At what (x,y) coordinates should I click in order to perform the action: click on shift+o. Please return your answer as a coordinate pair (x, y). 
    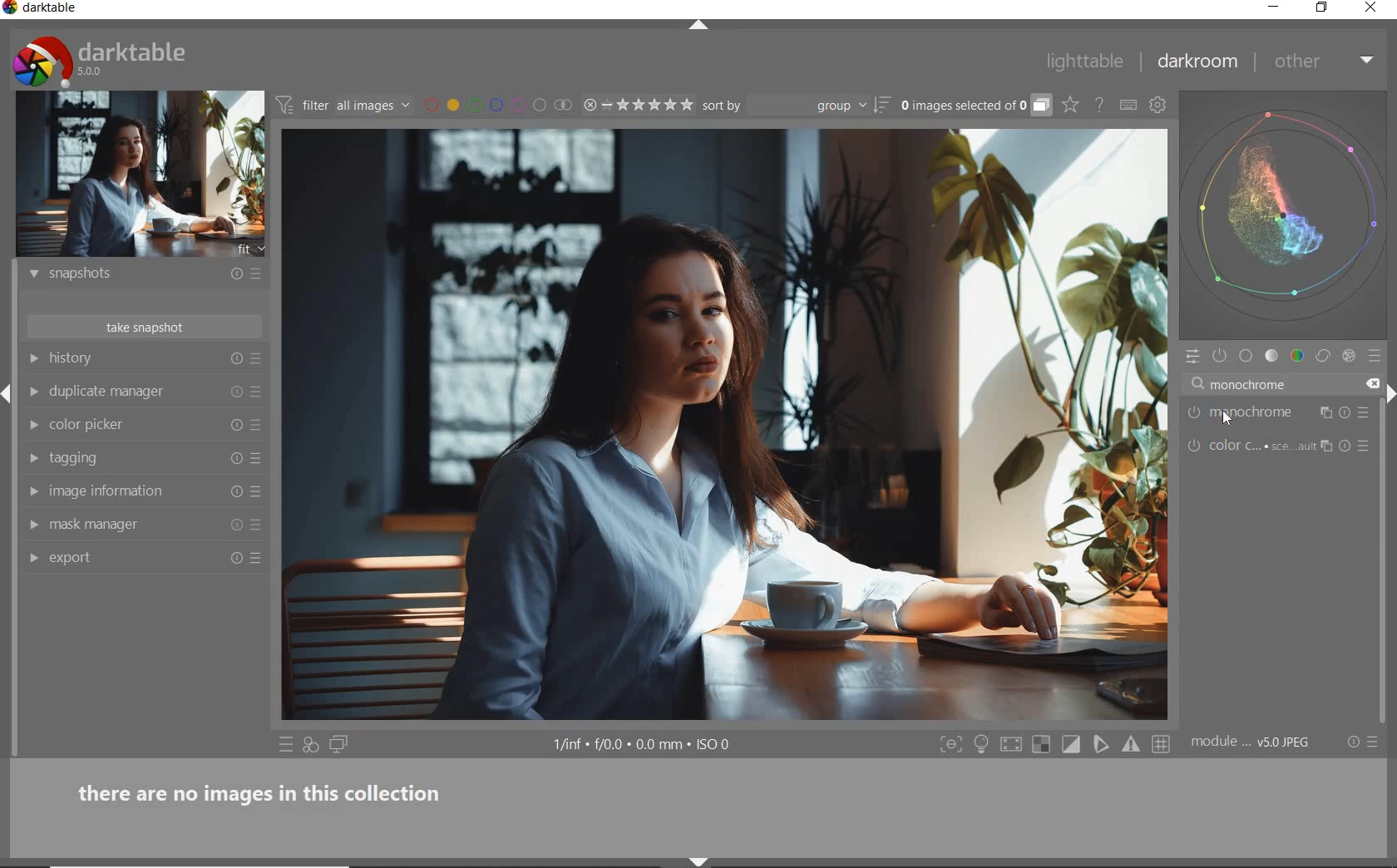
    Looking at the image, I should click on (1040, 746).